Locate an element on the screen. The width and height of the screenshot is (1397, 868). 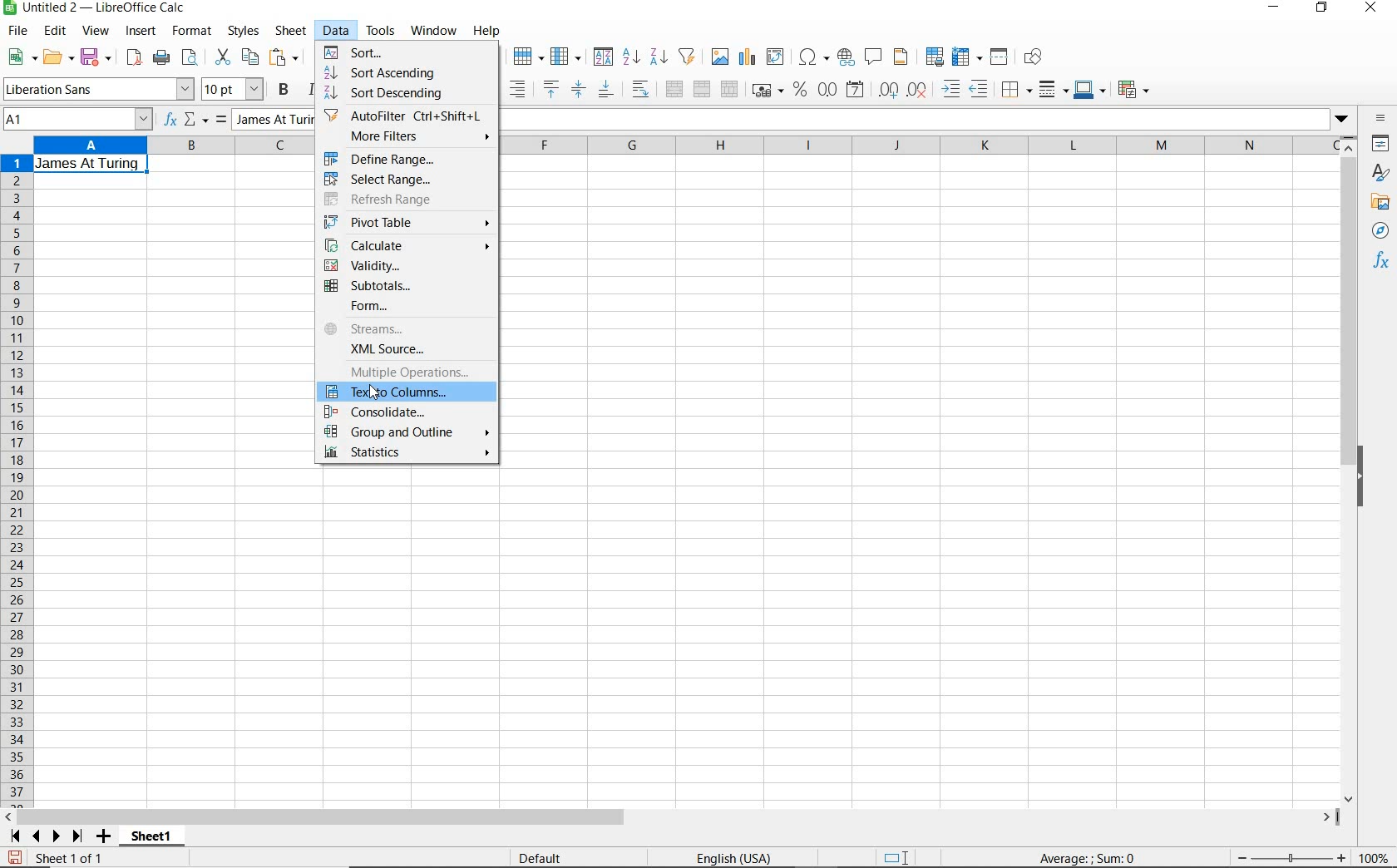
help is located at coordinates (487, 31).